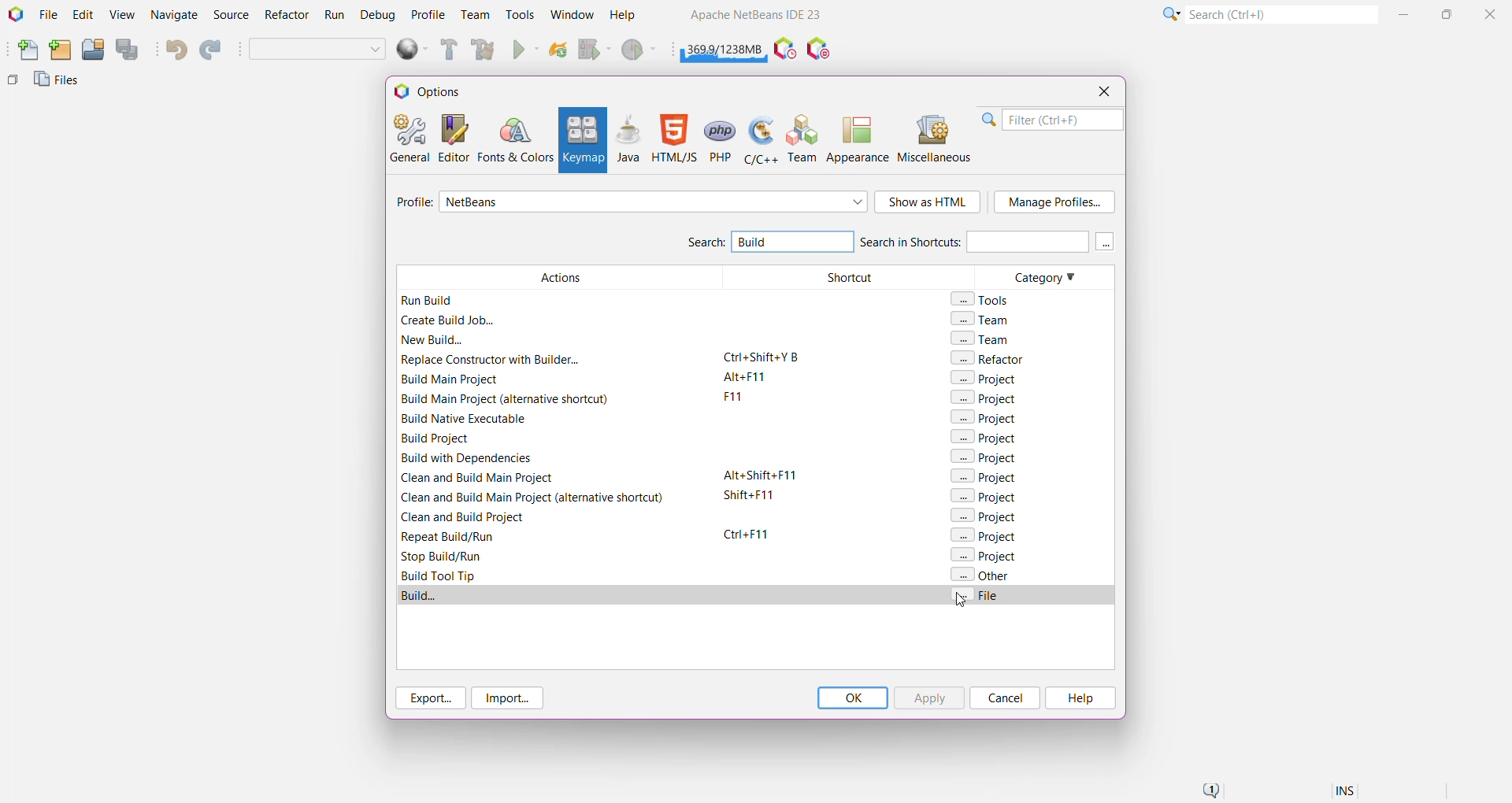 This screenshot has height=803, width=1512. I want to click on Team, so click(803, 139).